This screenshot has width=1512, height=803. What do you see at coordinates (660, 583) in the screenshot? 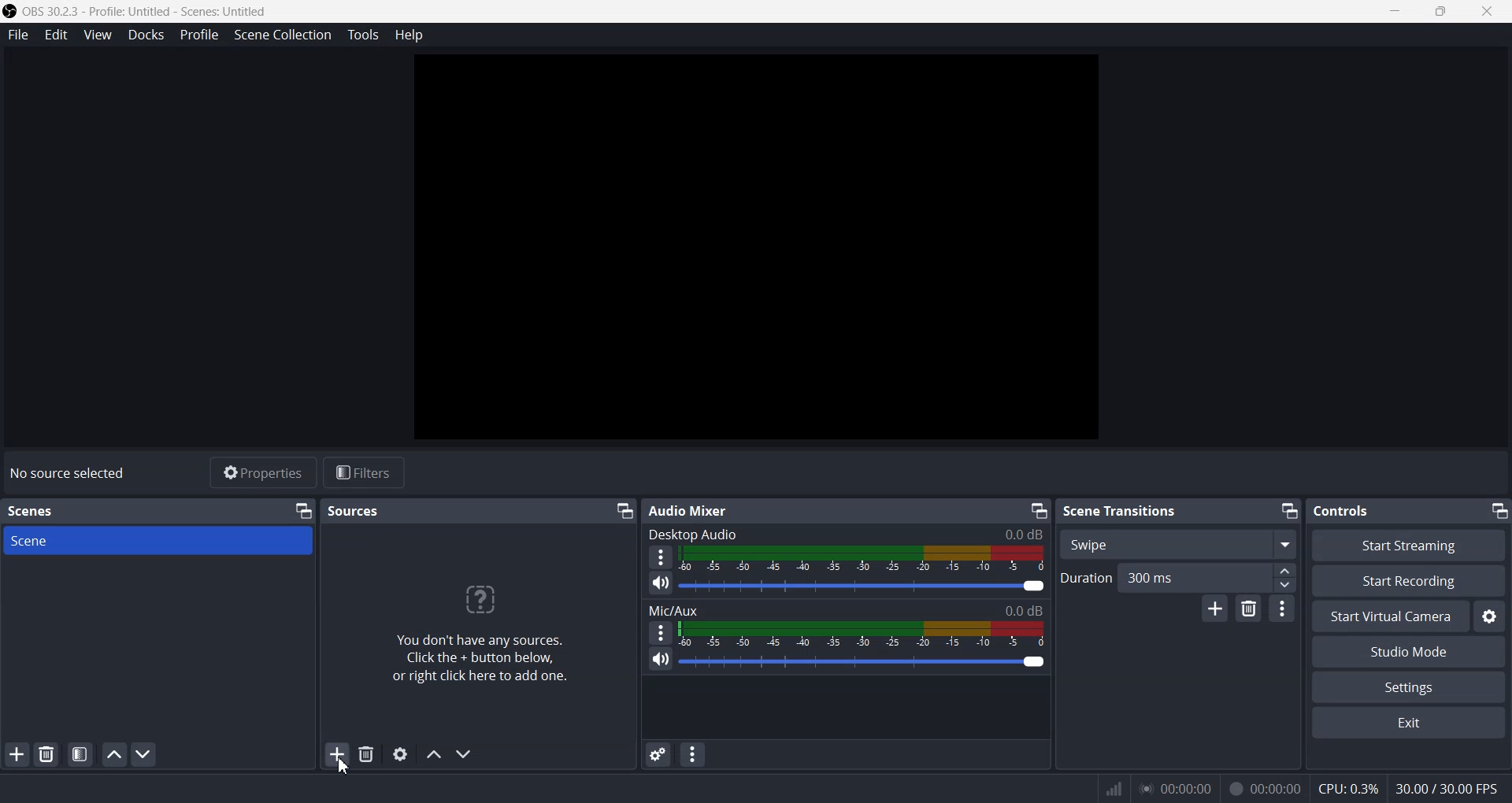
I see `Mute/ Unmute` at bounding box center [660, 583].